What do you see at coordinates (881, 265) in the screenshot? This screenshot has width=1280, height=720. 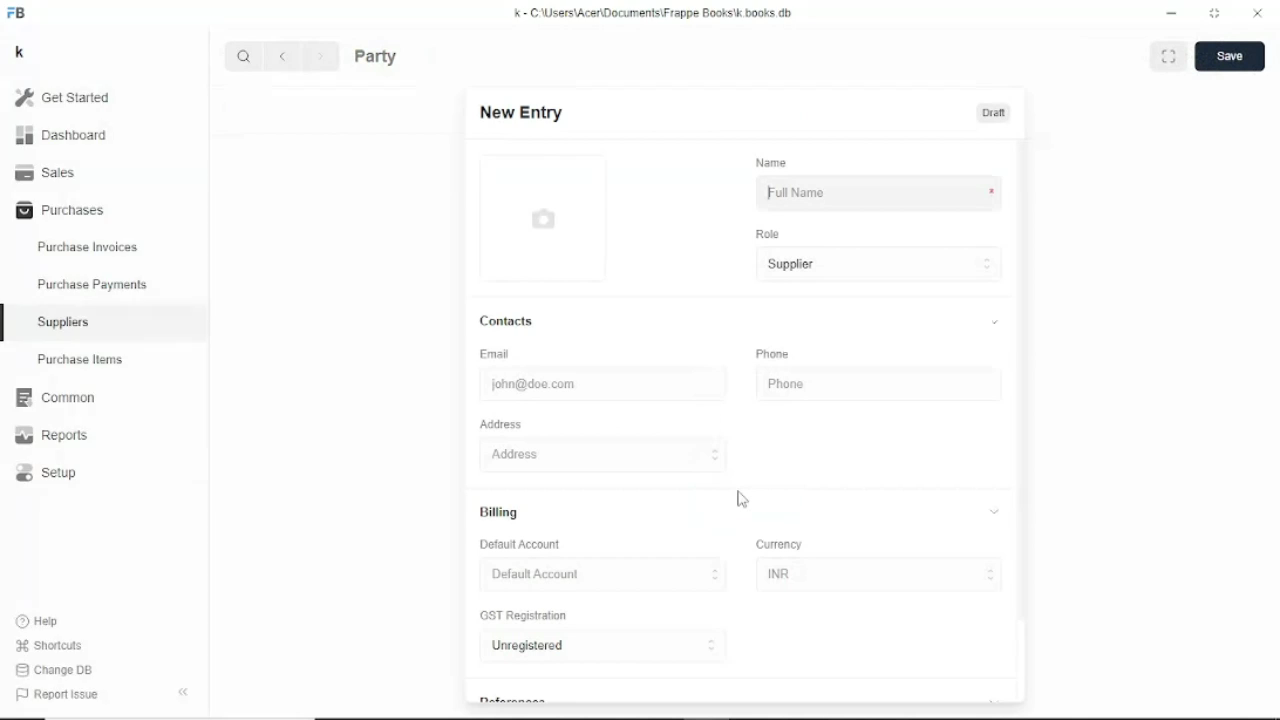 I see `Supplier` at bounding box center [881, 265].